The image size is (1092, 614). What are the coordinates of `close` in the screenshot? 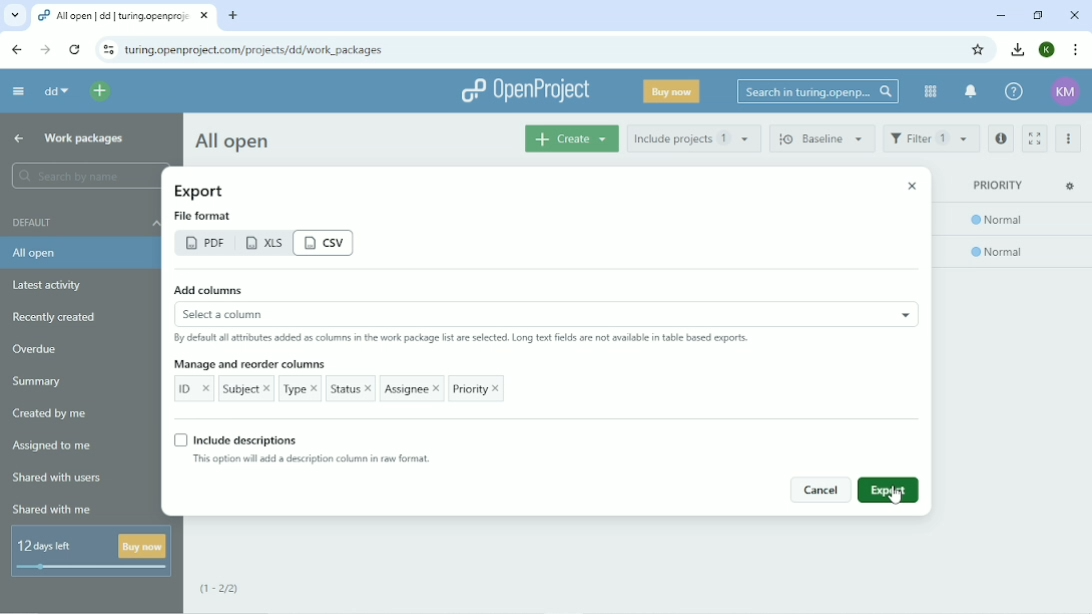 It's located at (915, 182).